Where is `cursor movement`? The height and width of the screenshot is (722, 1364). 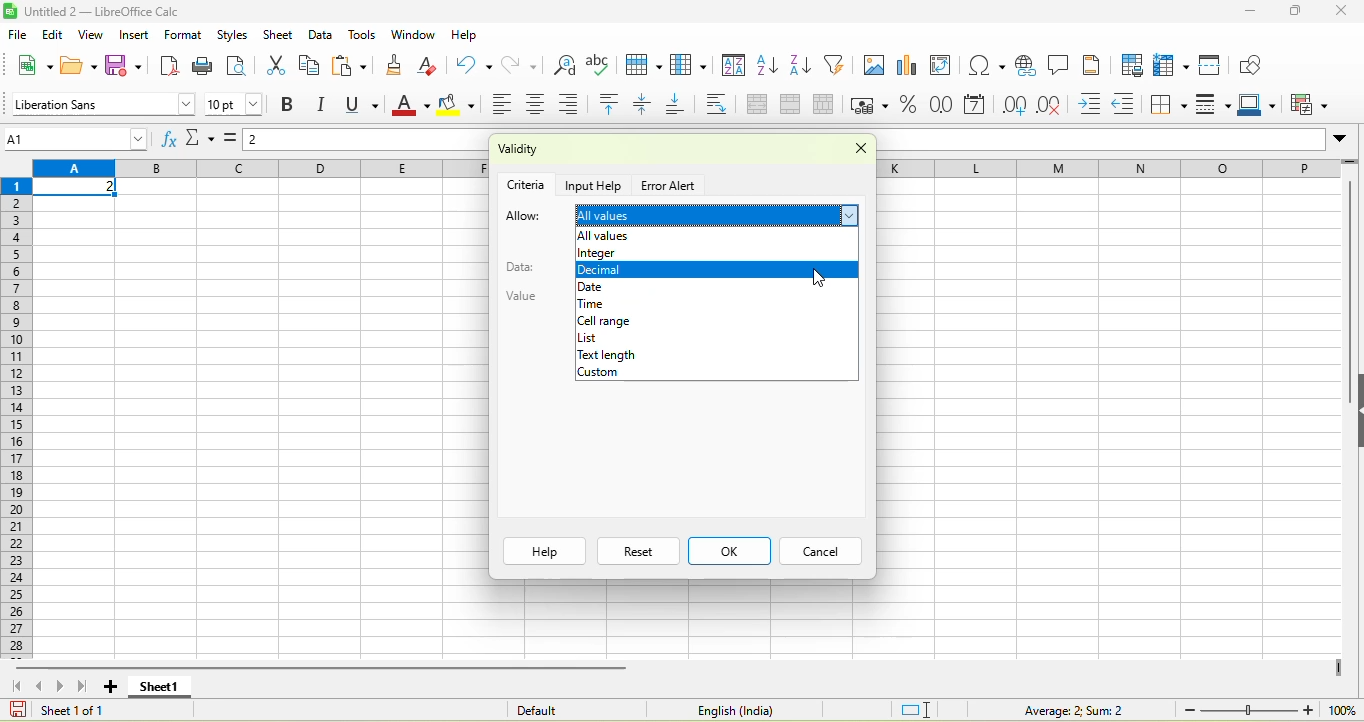 cursor movement is located at coordinates (818, 278).